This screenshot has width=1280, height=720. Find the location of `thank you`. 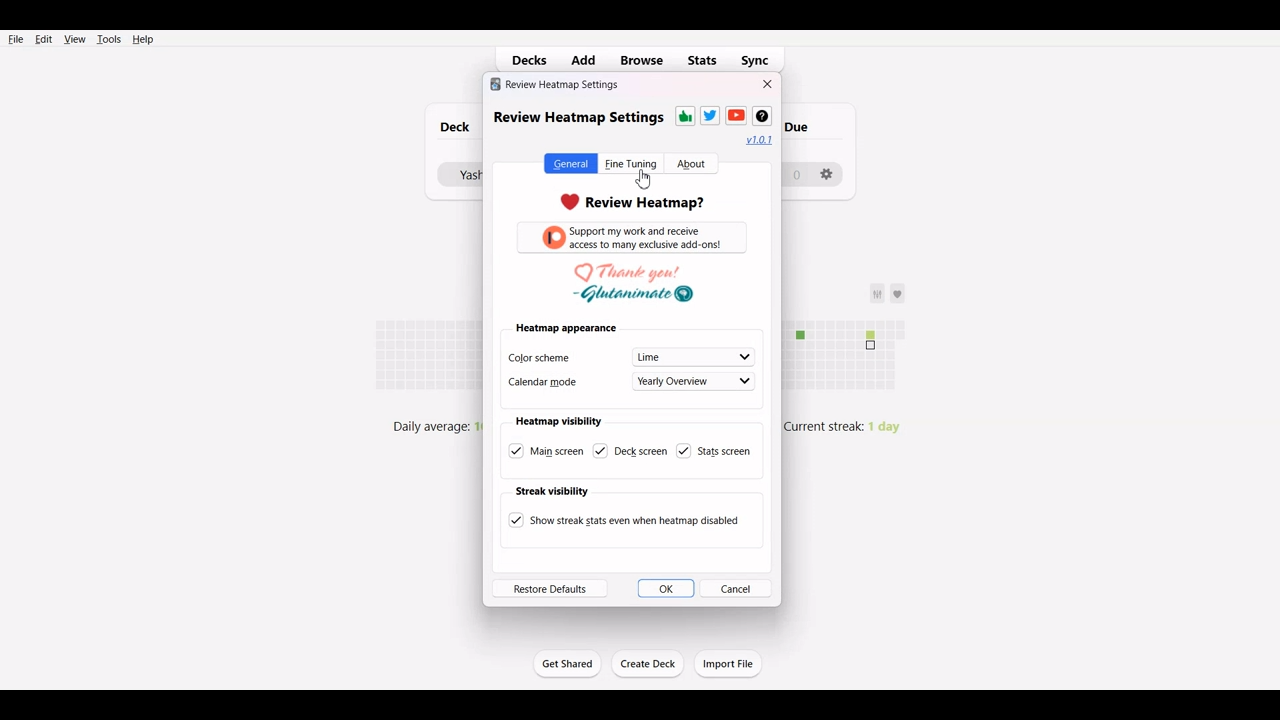

thank you is located at coordinates (634, 285).